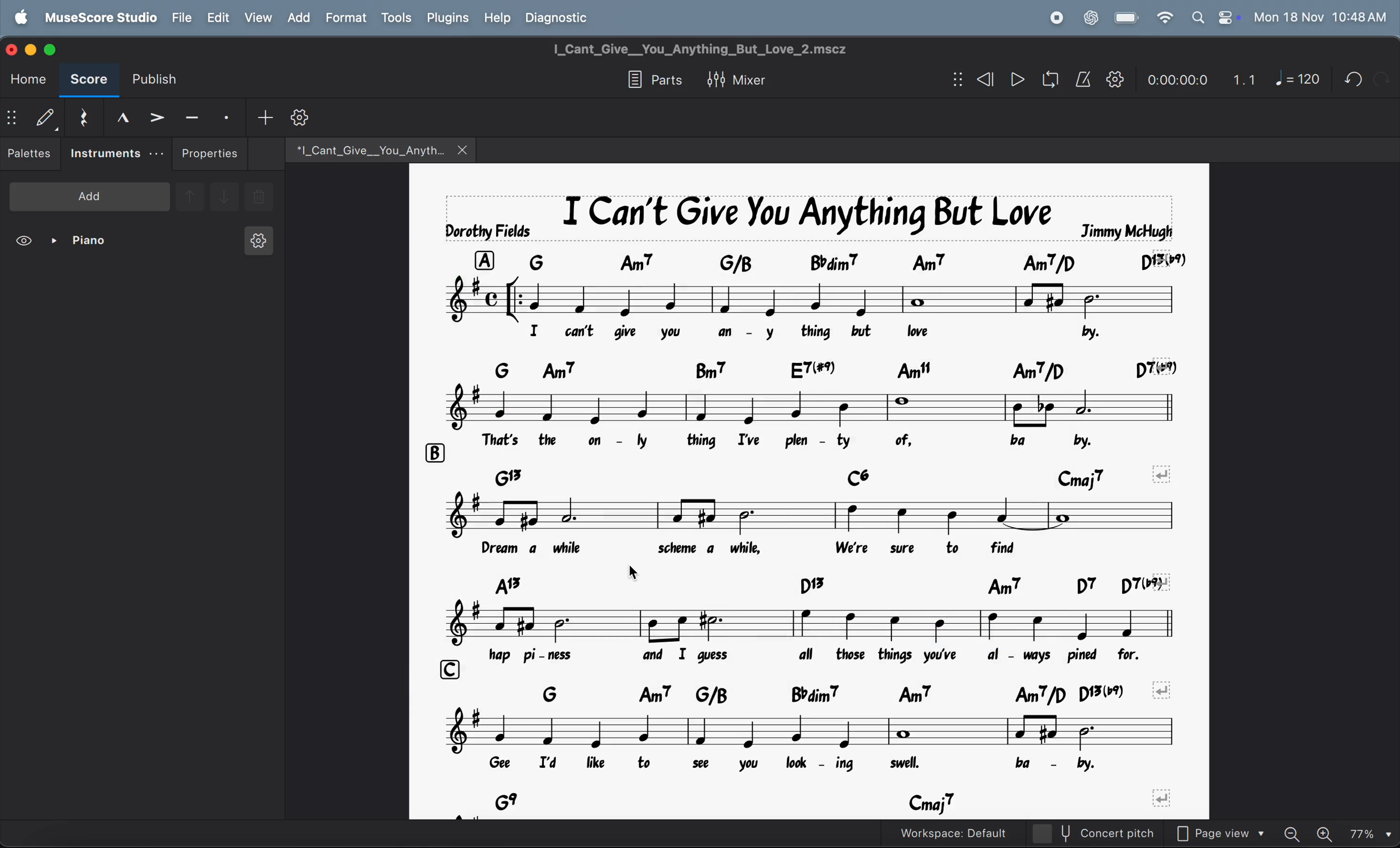  I want to click on file name, so click(363, 148).